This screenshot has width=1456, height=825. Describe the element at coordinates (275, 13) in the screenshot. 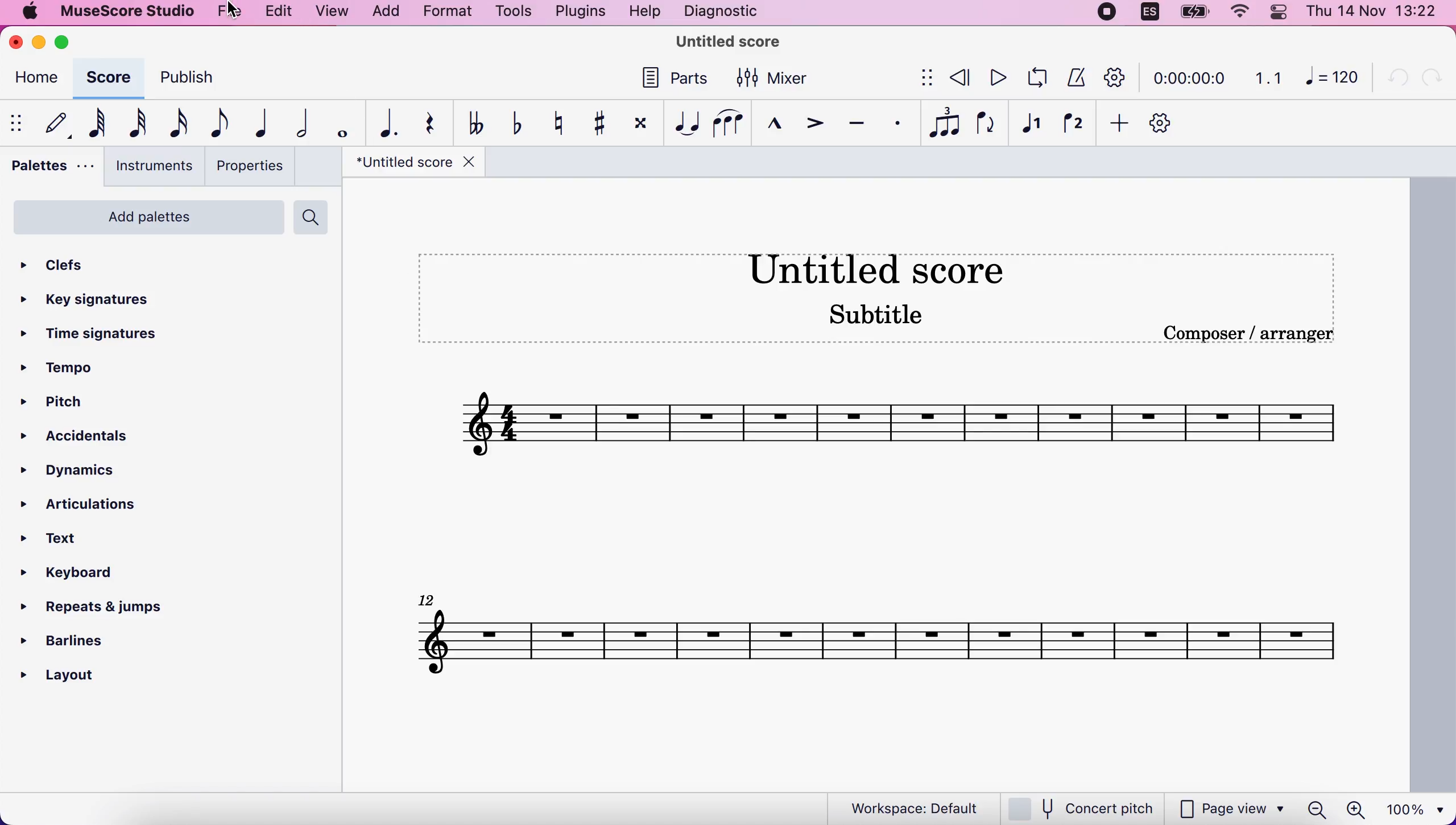

I see `edit` at that location.